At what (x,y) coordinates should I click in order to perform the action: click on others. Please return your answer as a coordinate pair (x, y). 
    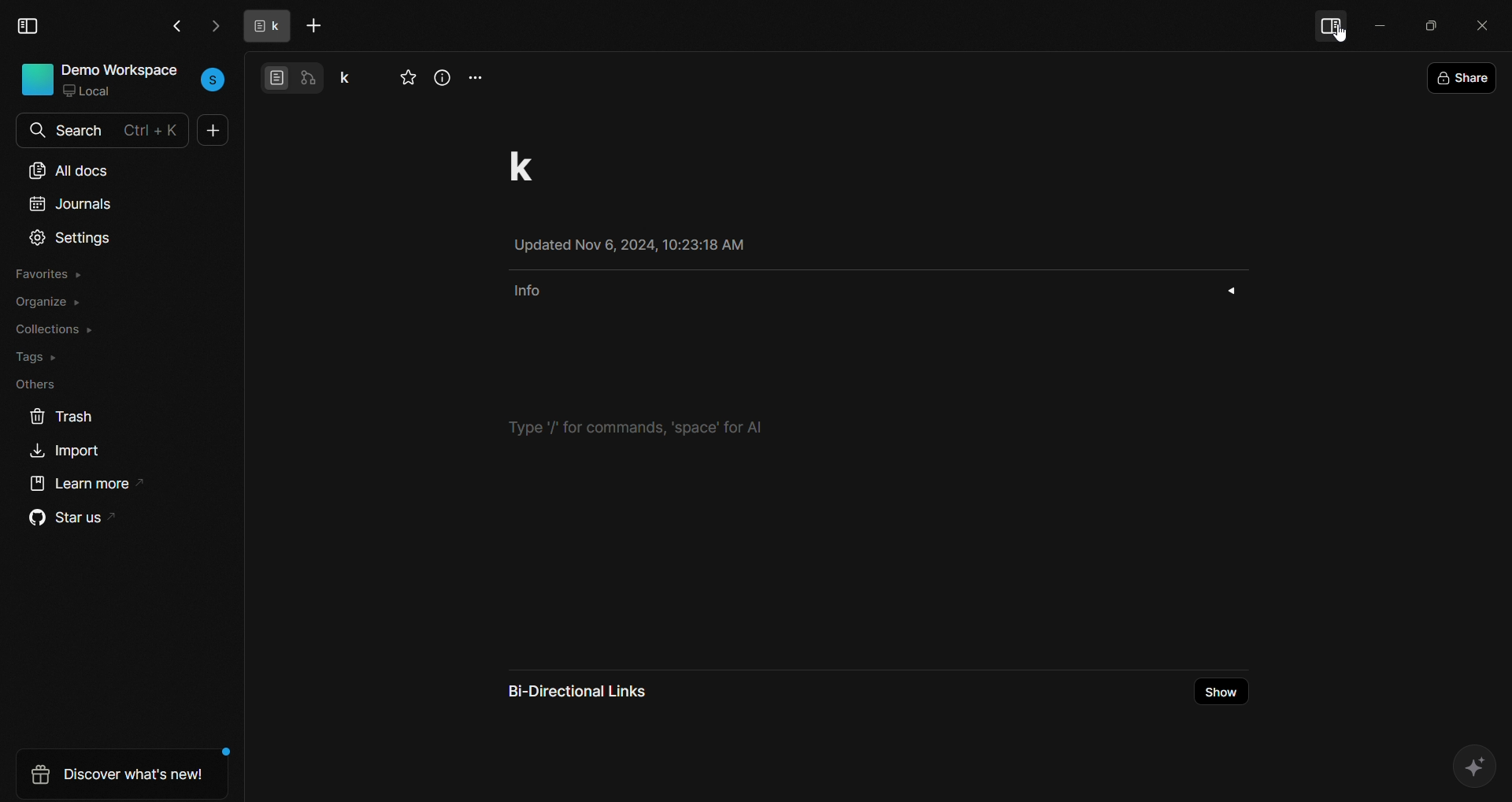
    Looking at the image, I should click on (32, 384).